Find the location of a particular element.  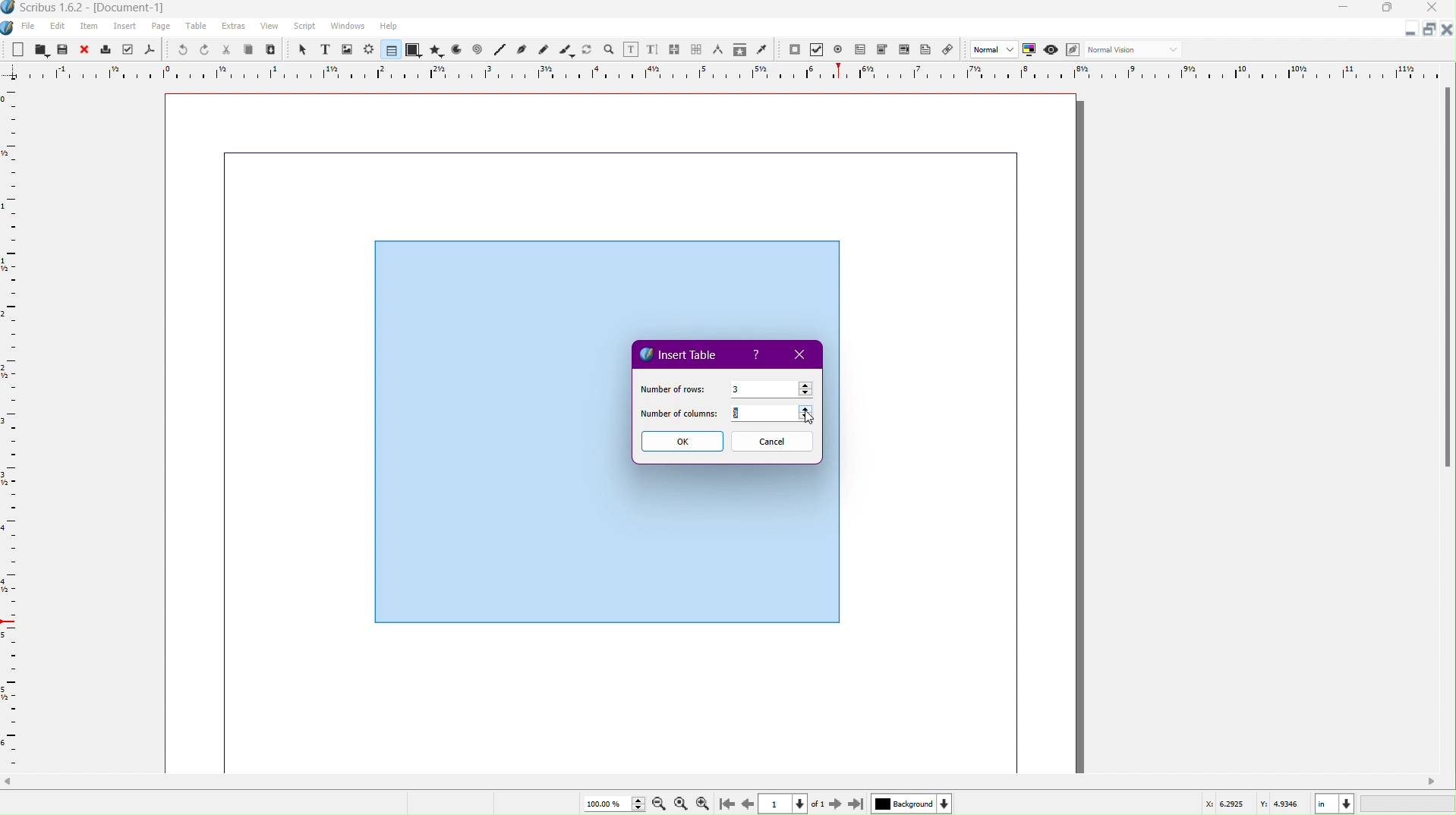

Rotate Item is located at coordinates (587, 49).